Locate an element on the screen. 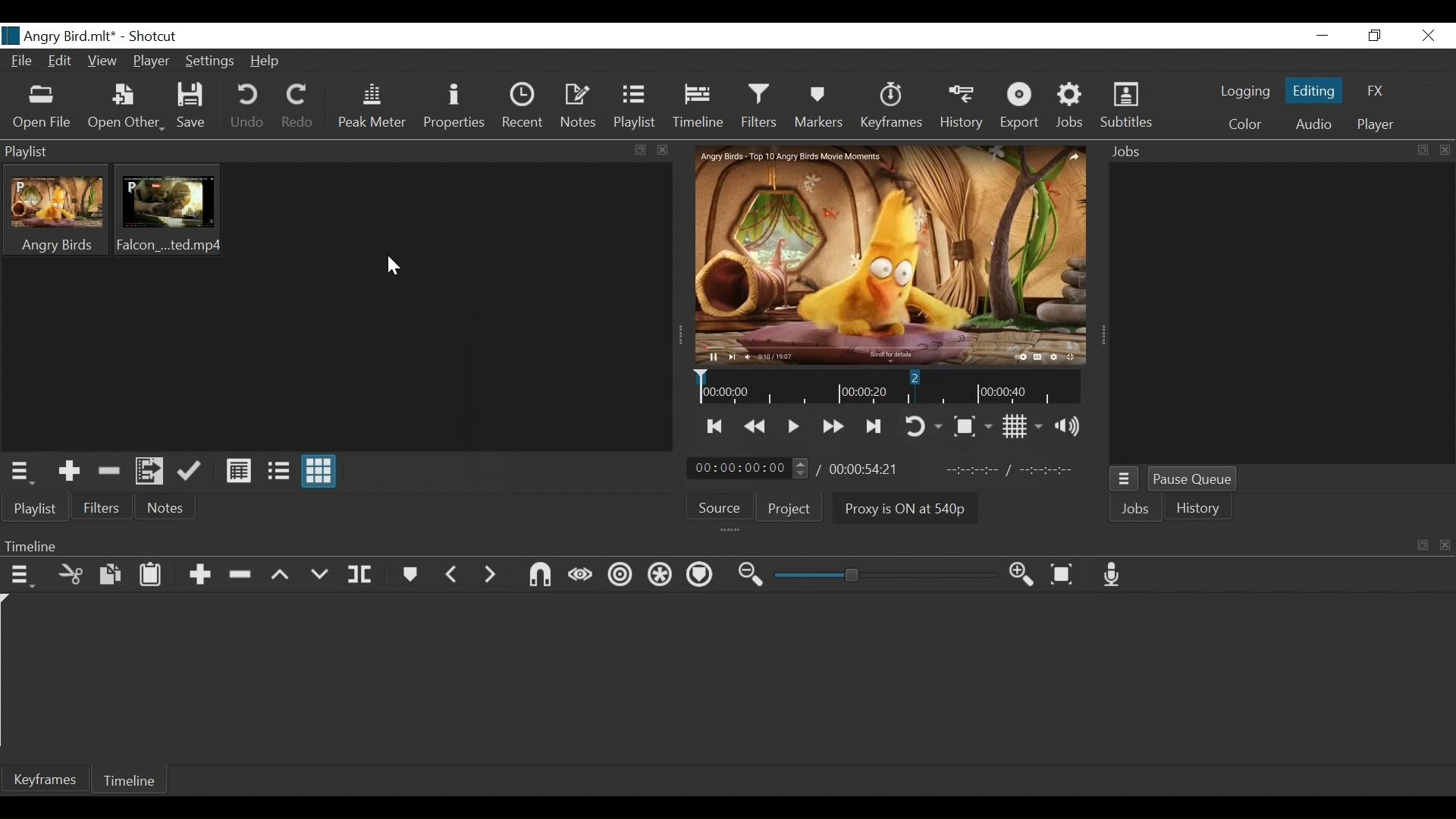 The image size is (1456, 819). Color is located at coordinates (1246, 124).